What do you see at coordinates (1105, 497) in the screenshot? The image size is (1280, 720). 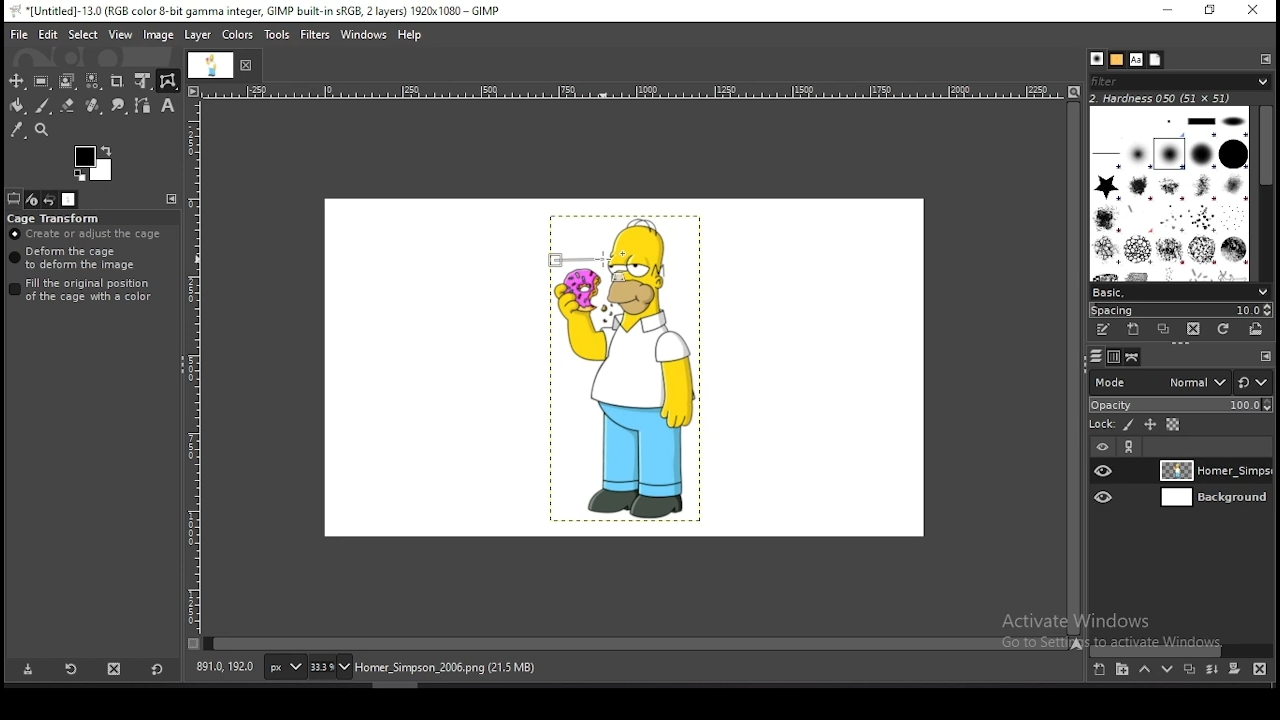 I see `layer visibility on/off` at bounding box center [1105, 497].